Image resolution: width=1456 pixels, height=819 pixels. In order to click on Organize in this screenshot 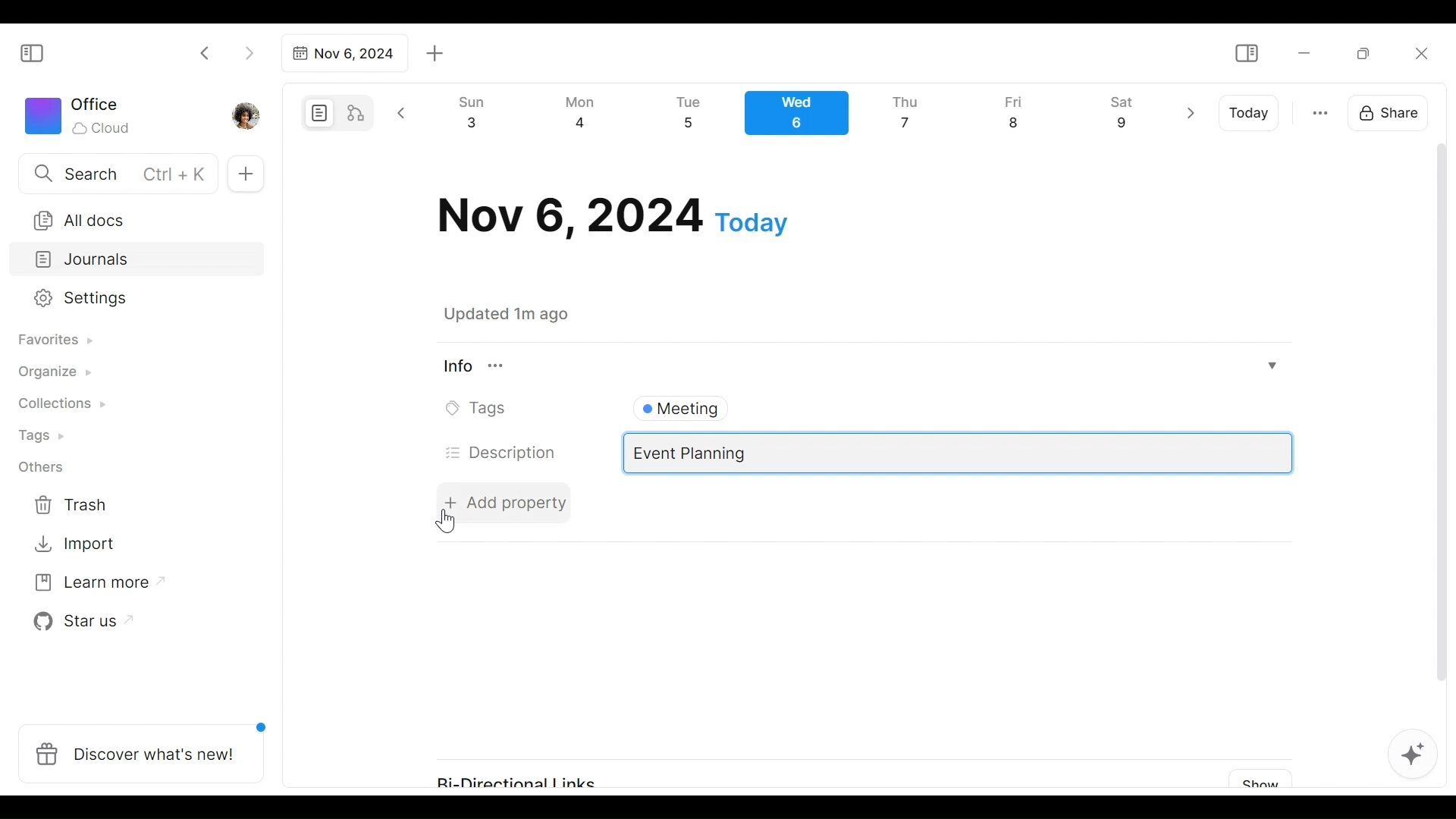, I will do `click(53, 373)`.